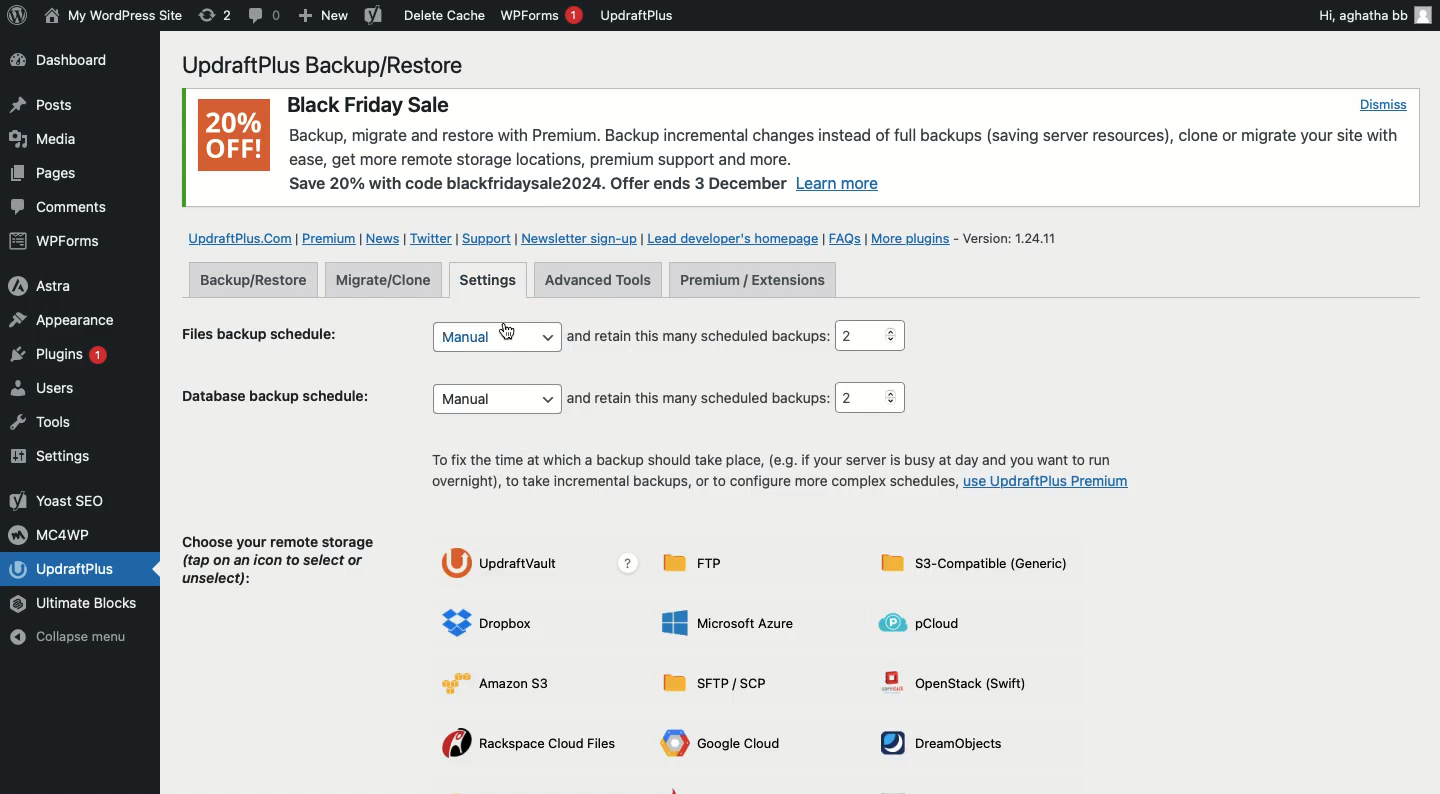 This screenshot has width=1440, height=794. I want to click on Appearance, so click(62, 319).